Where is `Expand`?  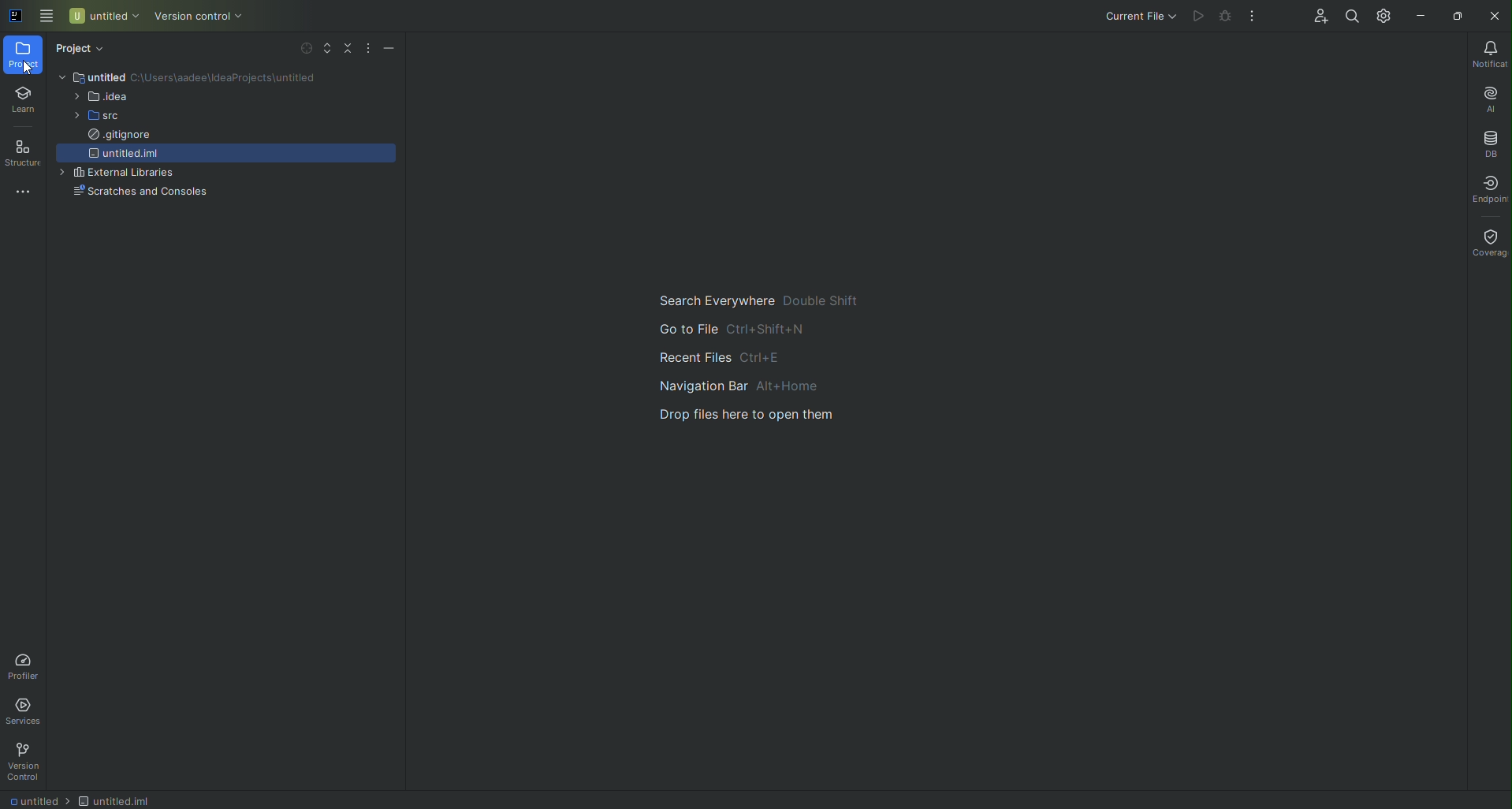
Expand is located at coordinates (322, 50).